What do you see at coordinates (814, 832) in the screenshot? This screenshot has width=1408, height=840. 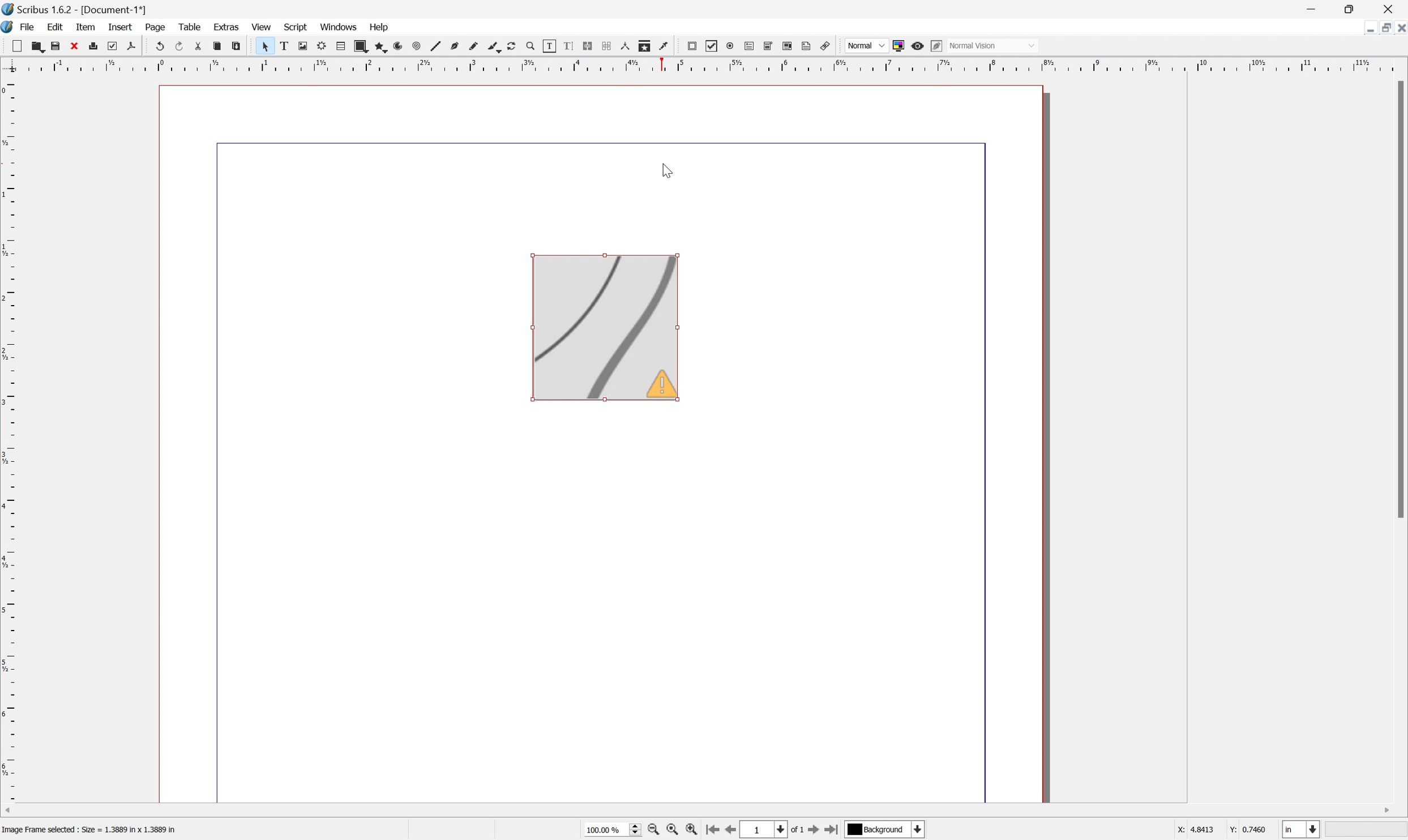 I see `Go to the next page` at bounding box center [814, 832].